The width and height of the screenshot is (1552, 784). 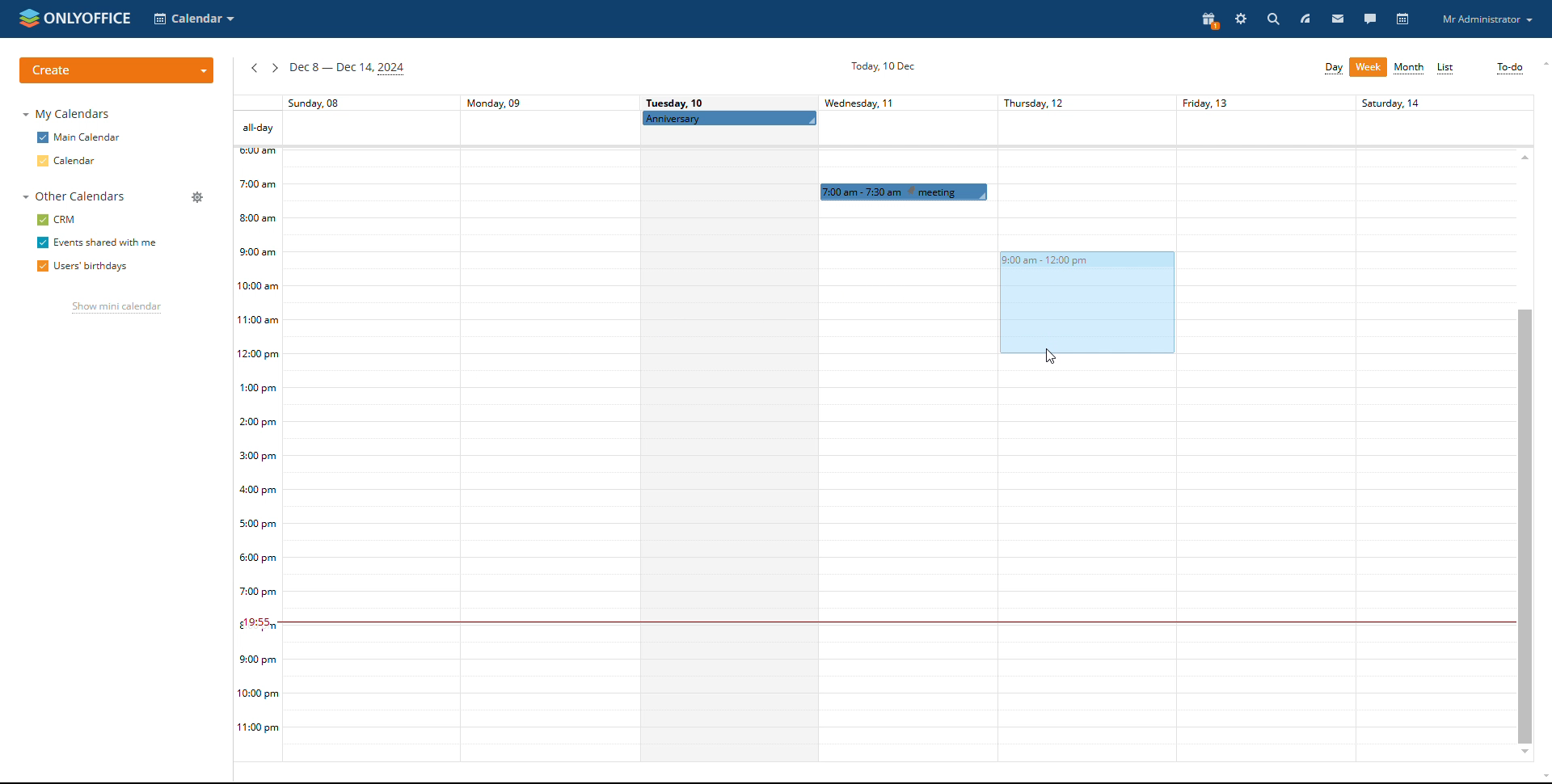 What do you see at coordinates (70, 115) in the screenshot?
I see `my calendars` at bounding box center [70, 115].